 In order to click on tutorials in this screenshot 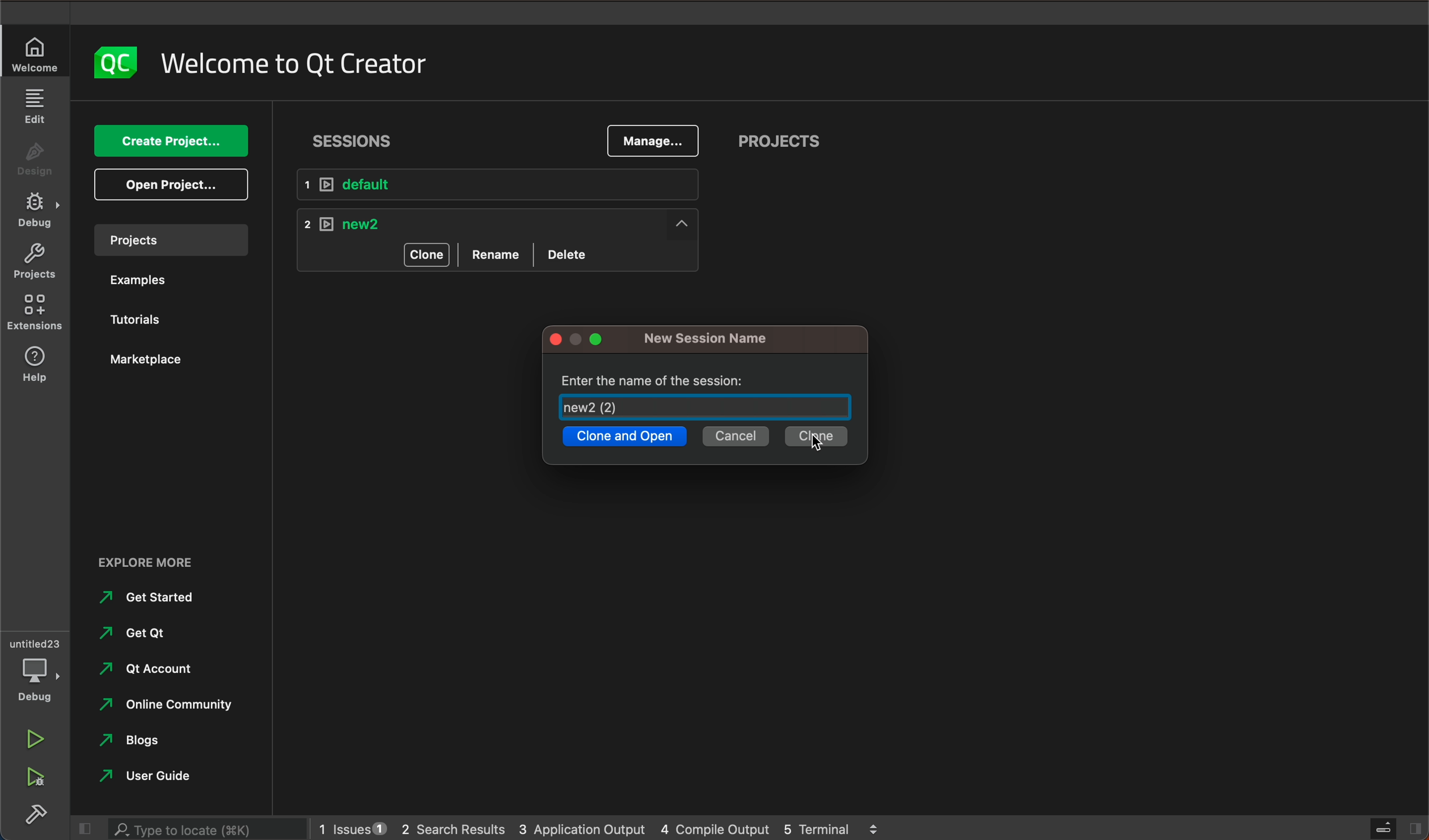, I will do `click(132, 315)`.